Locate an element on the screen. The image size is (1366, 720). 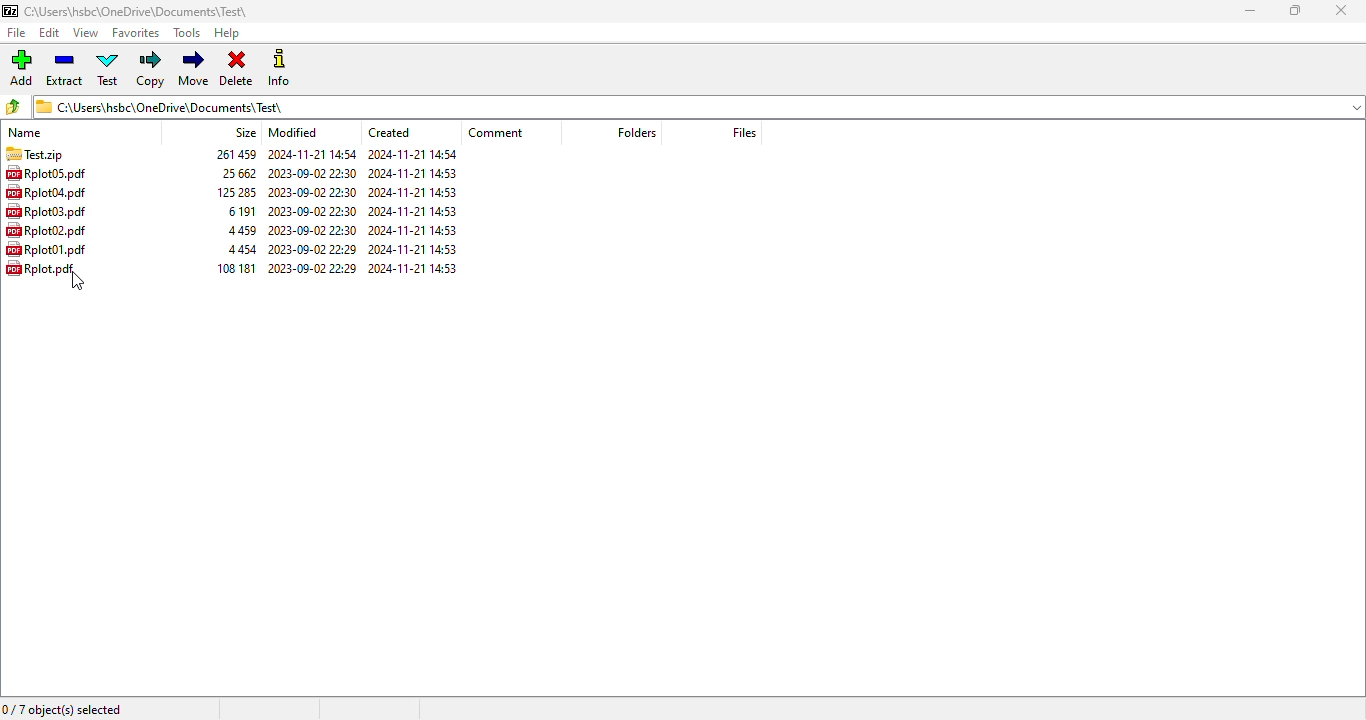
108181 is located at coordinates (226, 268).